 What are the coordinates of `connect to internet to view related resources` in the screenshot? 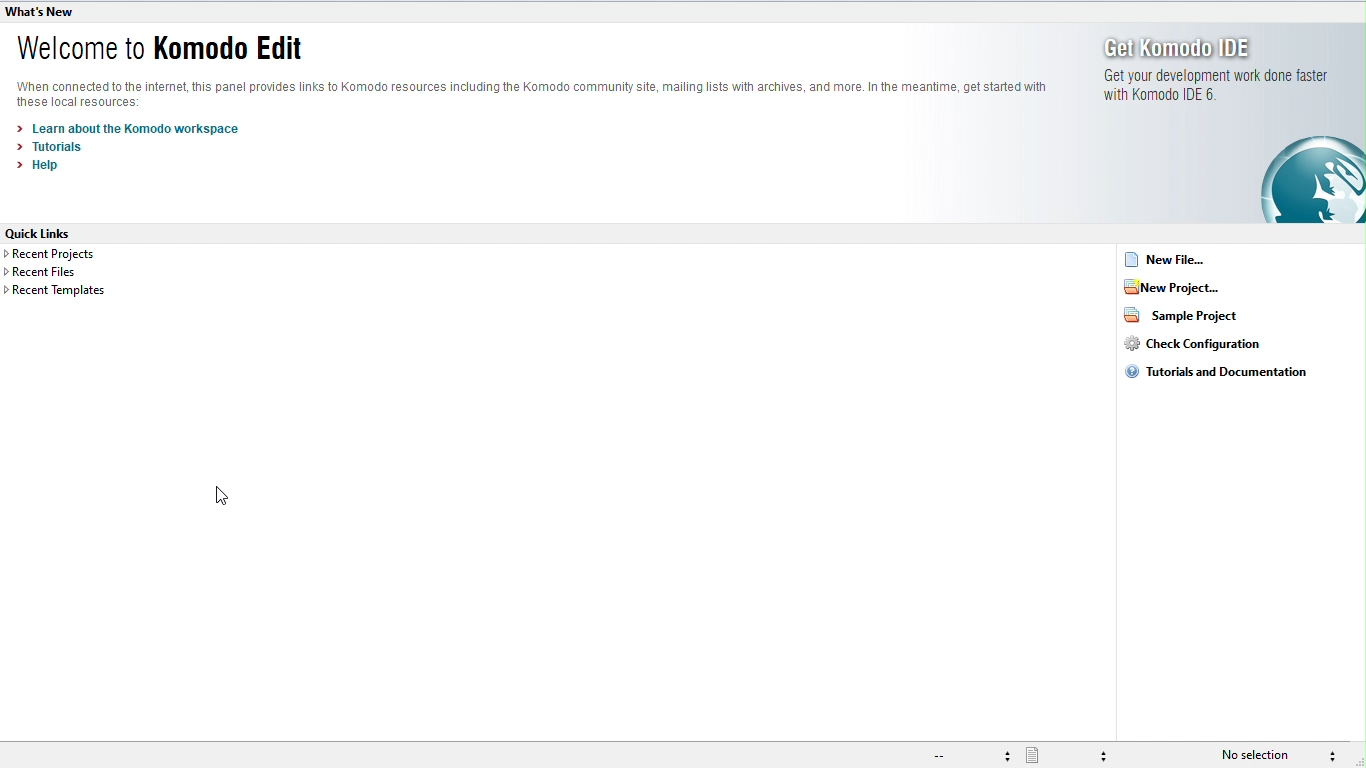 It's located at (539, 93).